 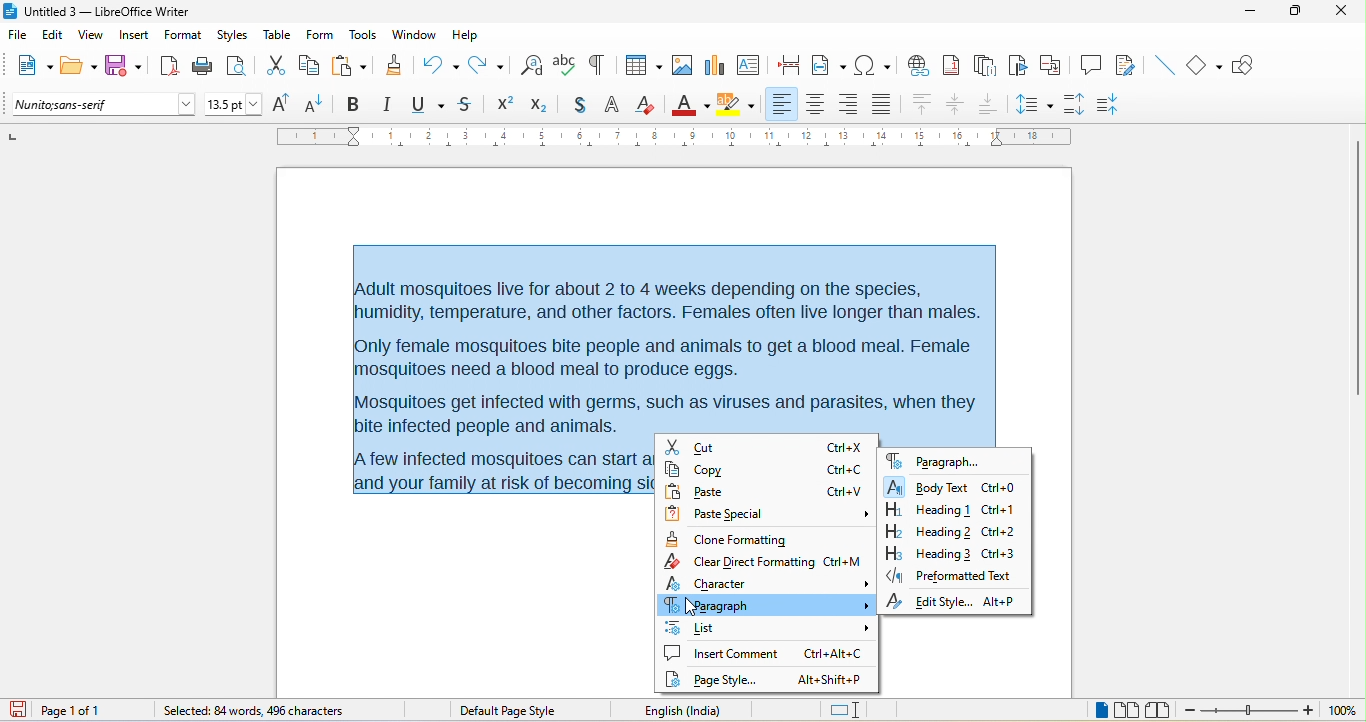 What do you see at coordinates (989, 103) in the screenshot?
I see `align bottom` at bounding box center [989, 103].